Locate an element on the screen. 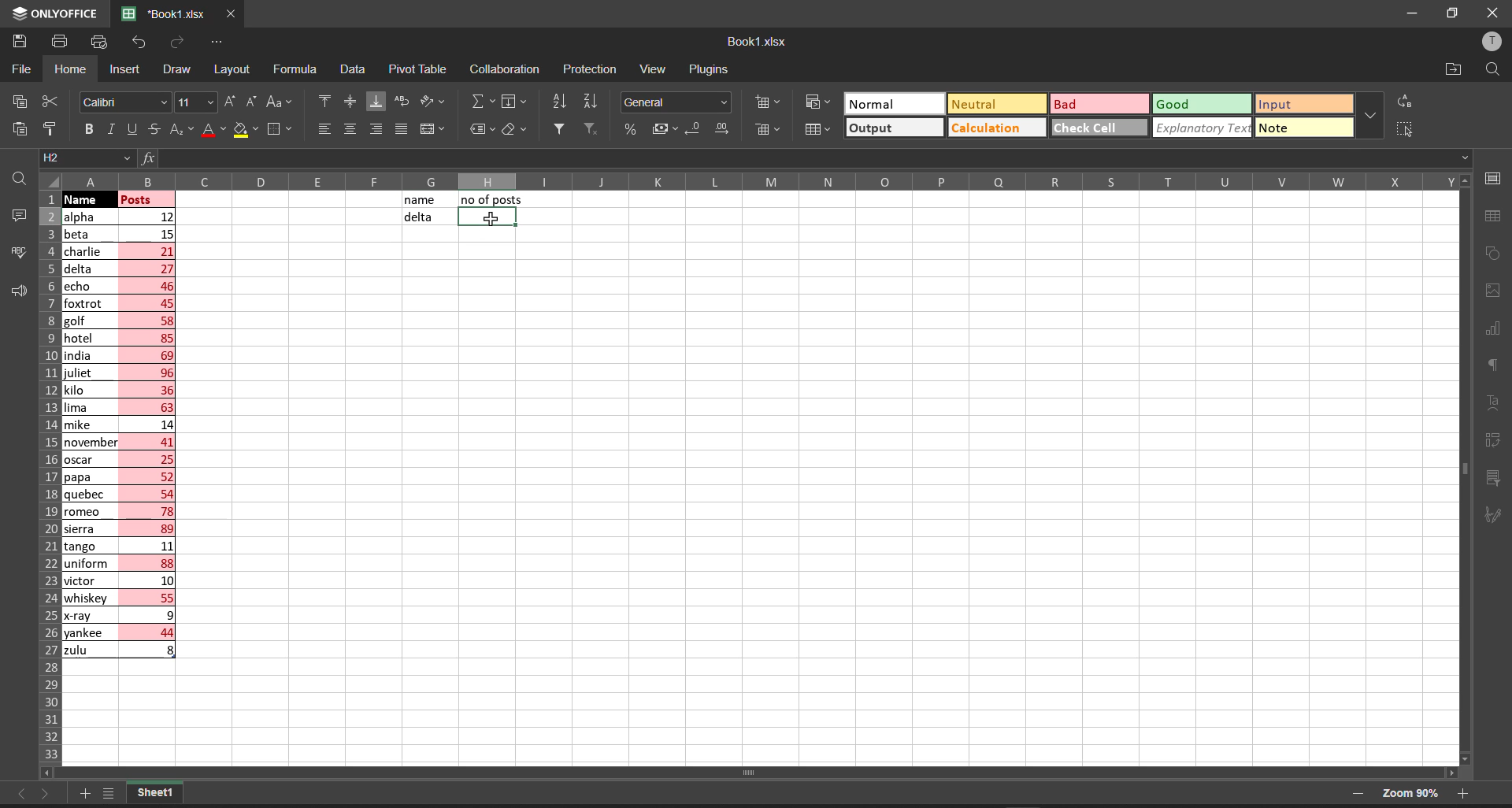 The image size is (1512, 808). emty cell is located at coordinates (813, 500).